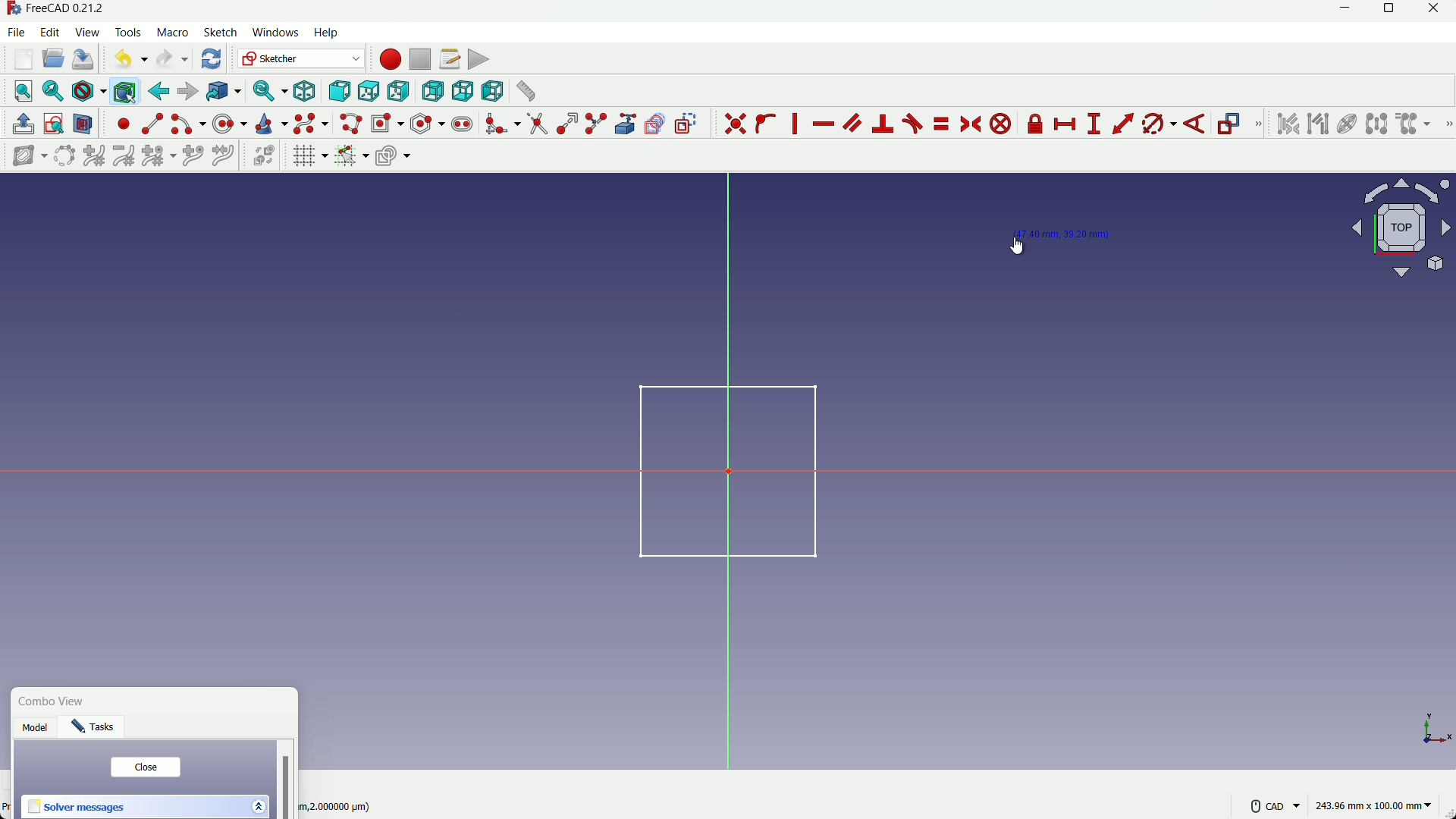 The height and width of the screenshot is (819, 1456). Describe the element at coordinates (395, 155) in the screenshot. I see `configure rendering order` at that location.